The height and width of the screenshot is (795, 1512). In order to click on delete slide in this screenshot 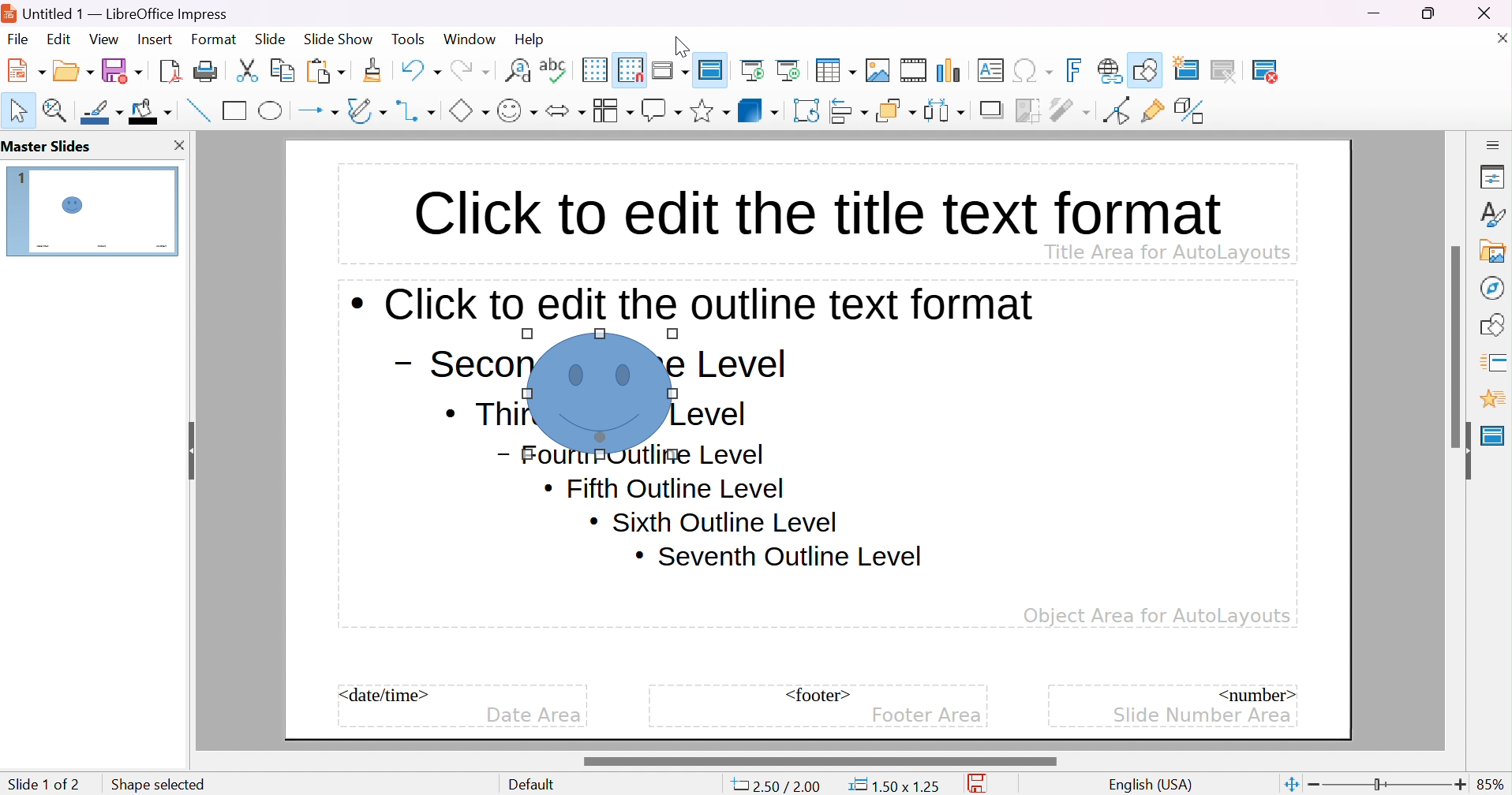, I will do `click(1275, 71)`.